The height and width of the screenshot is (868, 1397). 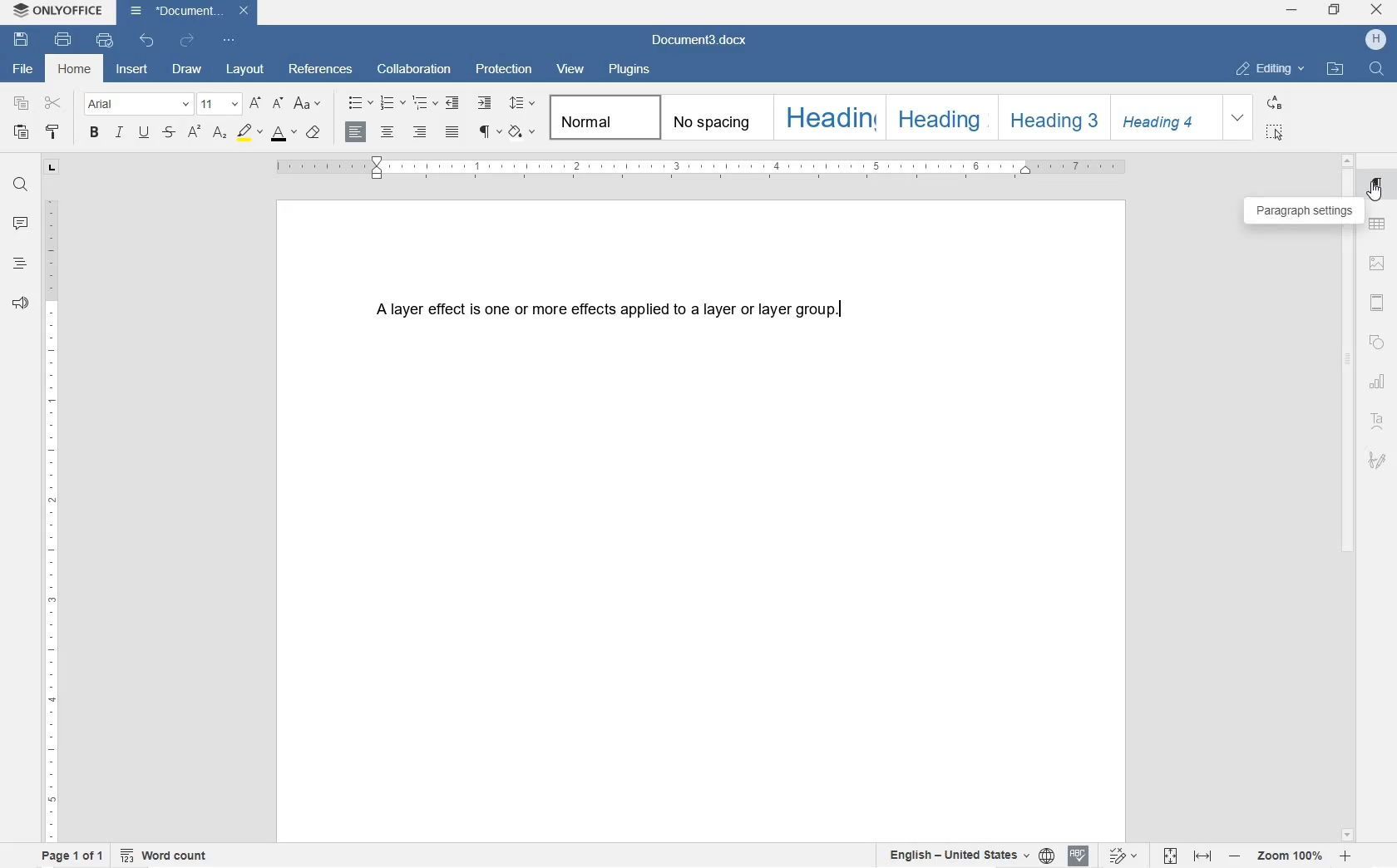 What do you see at coordinates (572, 68) in the screenshot?
I see `VIEW` at bounding box center [572, 68].